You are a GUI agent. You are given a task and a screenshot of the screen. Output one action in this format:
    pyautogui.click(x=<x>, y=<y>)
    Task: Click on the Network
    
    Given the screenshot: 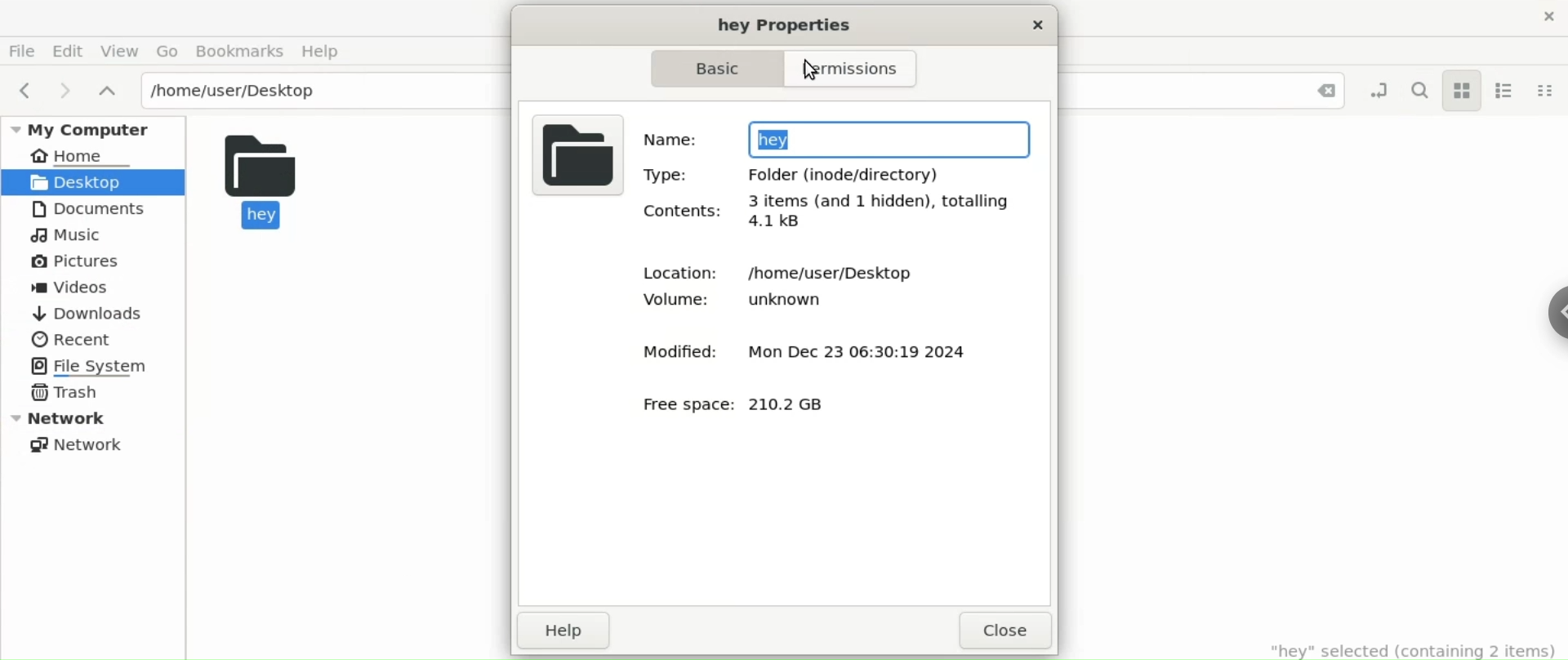 What is the action you would take?
    pyautogui.click(x=95, y=419)
    